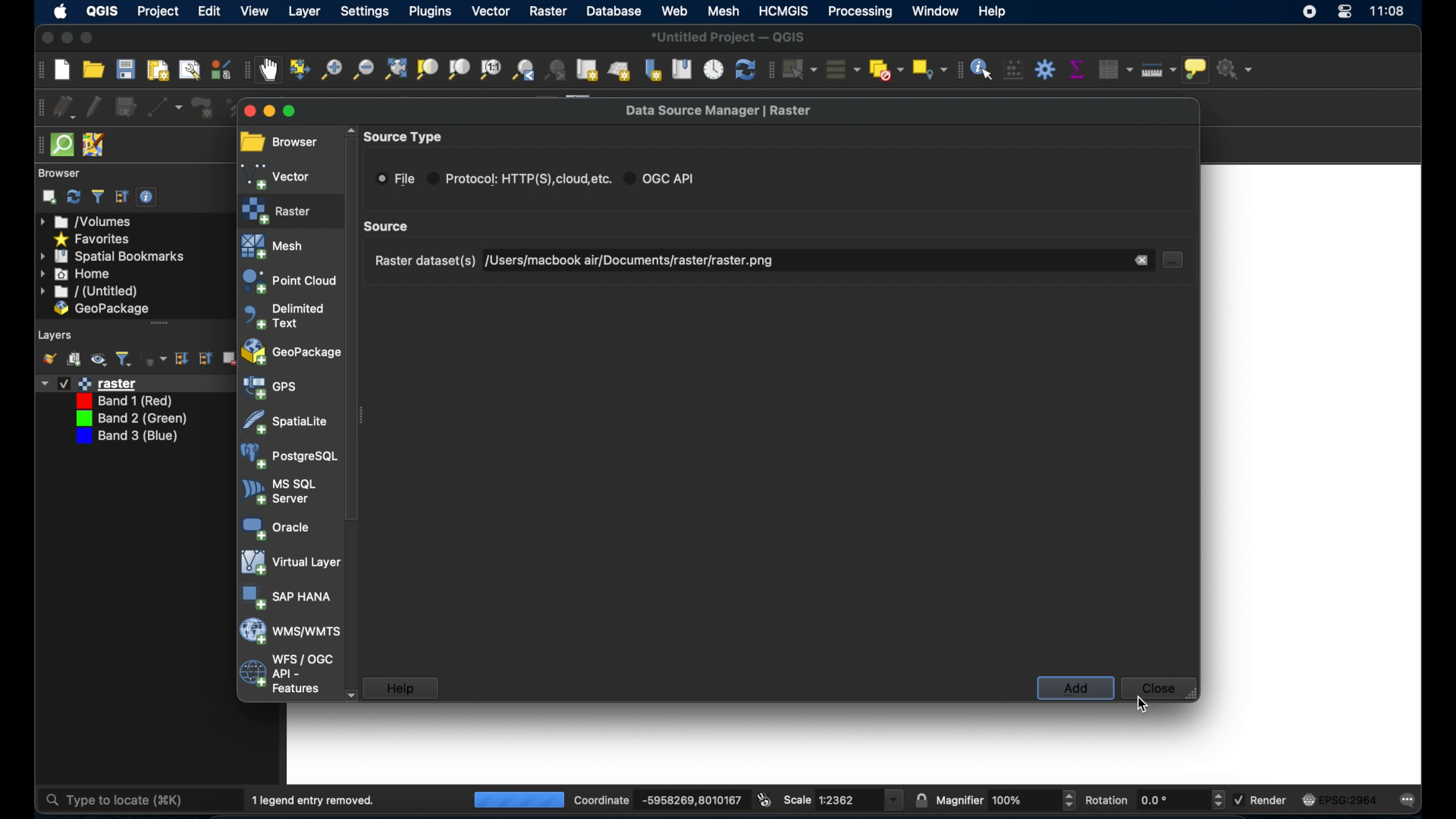 The height and width of the screenshot is (819, 1456). I want to click on new print layout, so click(158, 70).